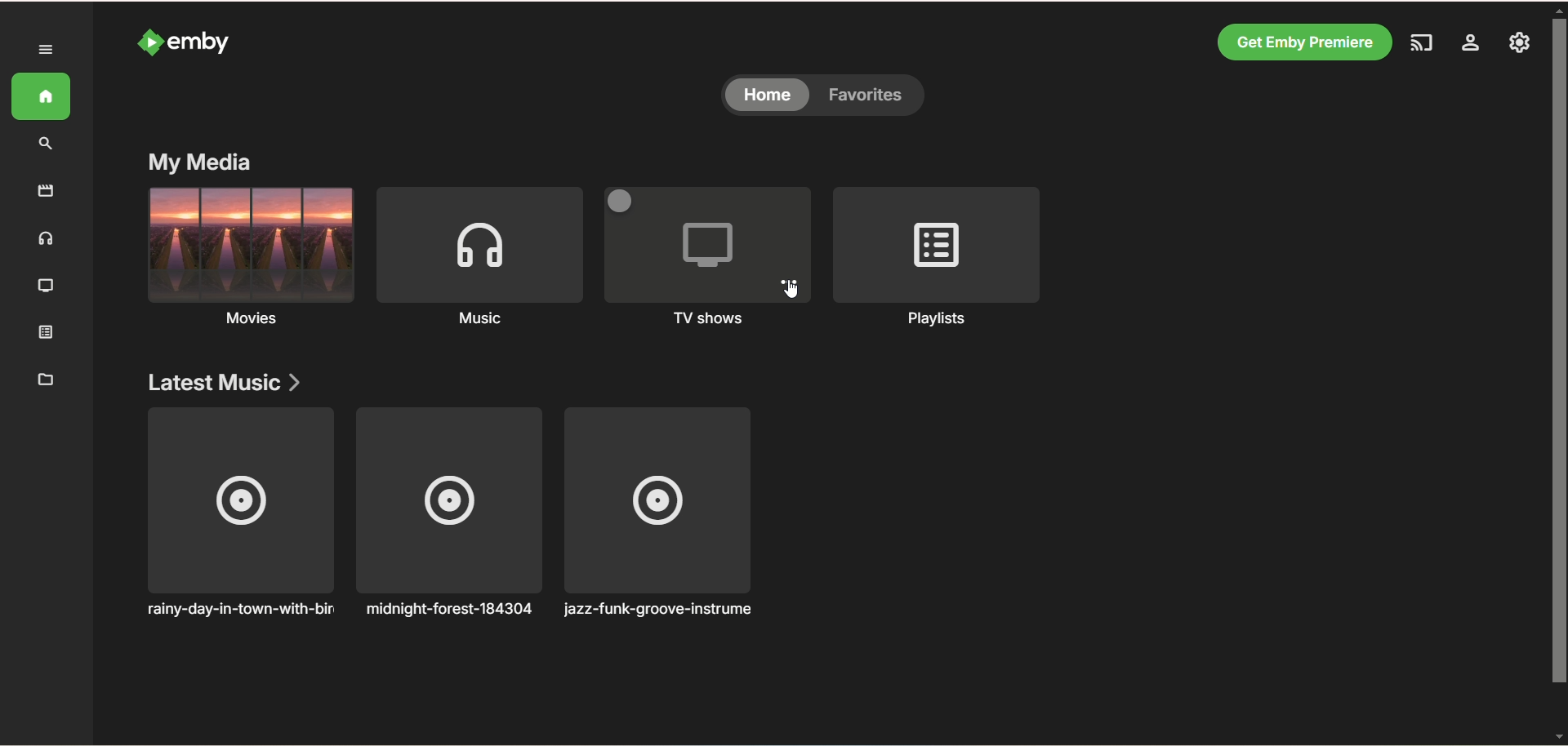 The width and height of the screenshot is (1568, 746). I want to click on latest music, so click(224, 384).